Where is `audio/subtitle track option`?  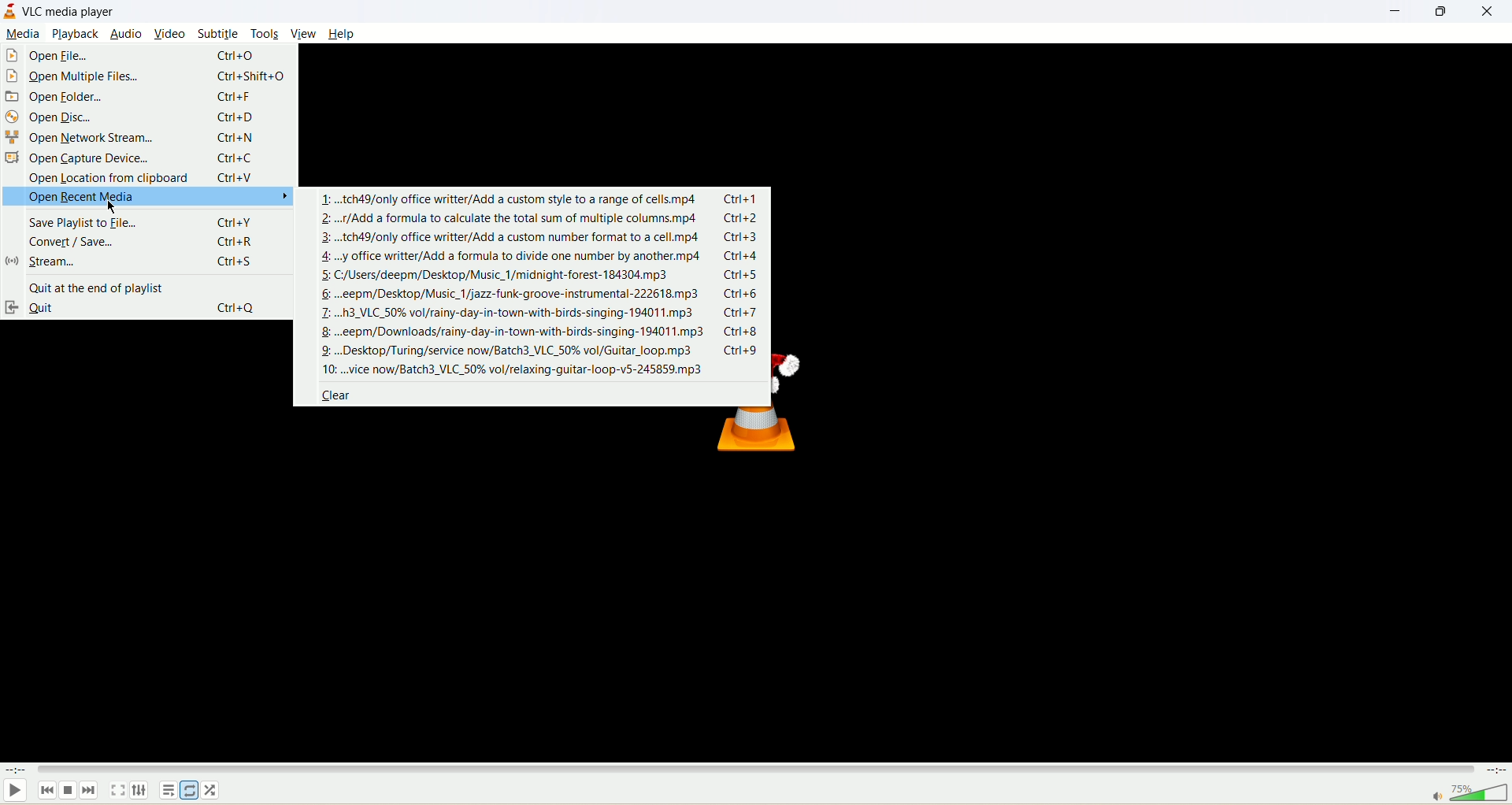 audio/subtitle track option is located at coordinates (141, 790).